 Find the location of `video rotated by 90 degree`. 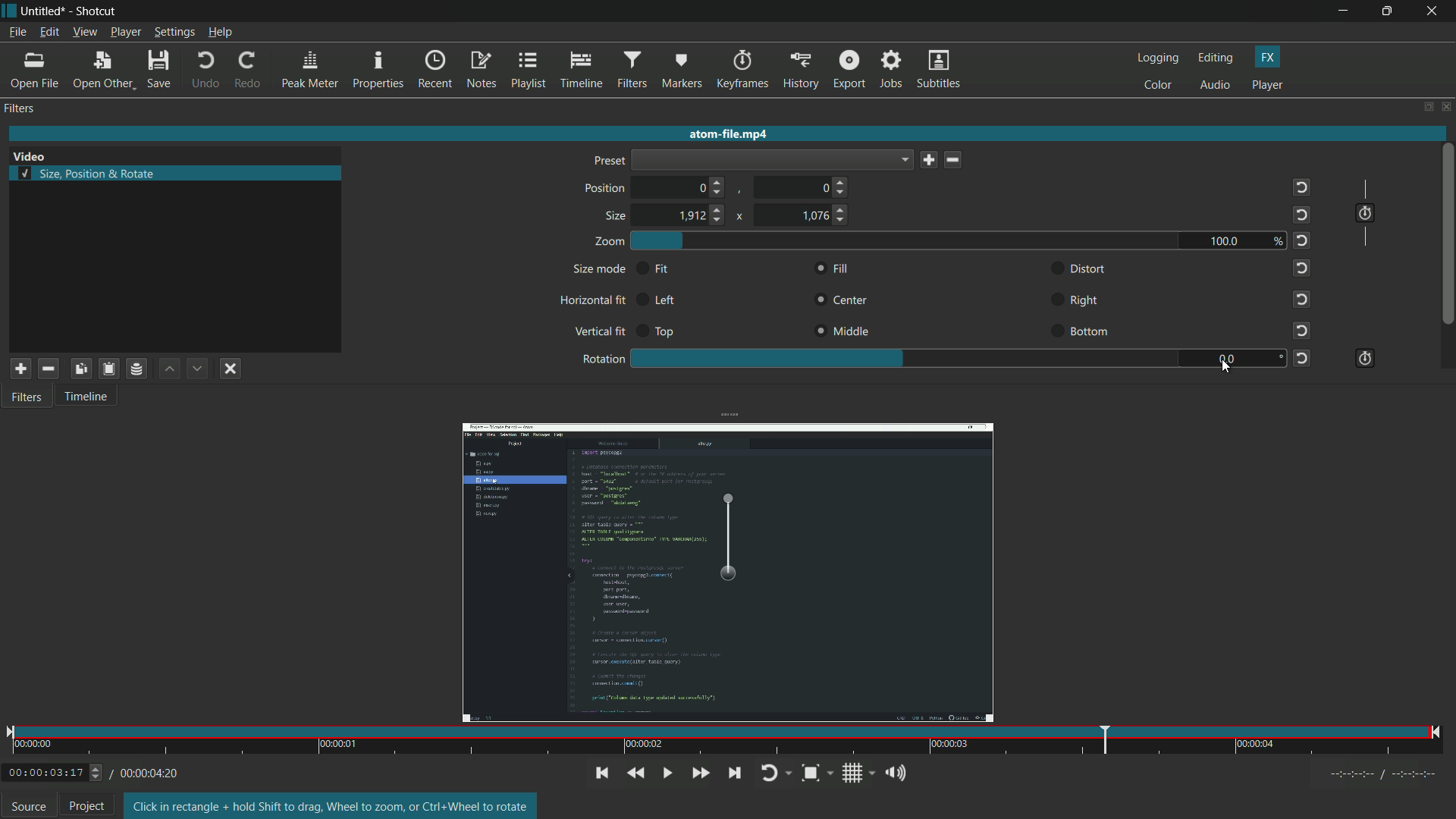

video rotated by 90 degree is located at coordinates (730, 573).